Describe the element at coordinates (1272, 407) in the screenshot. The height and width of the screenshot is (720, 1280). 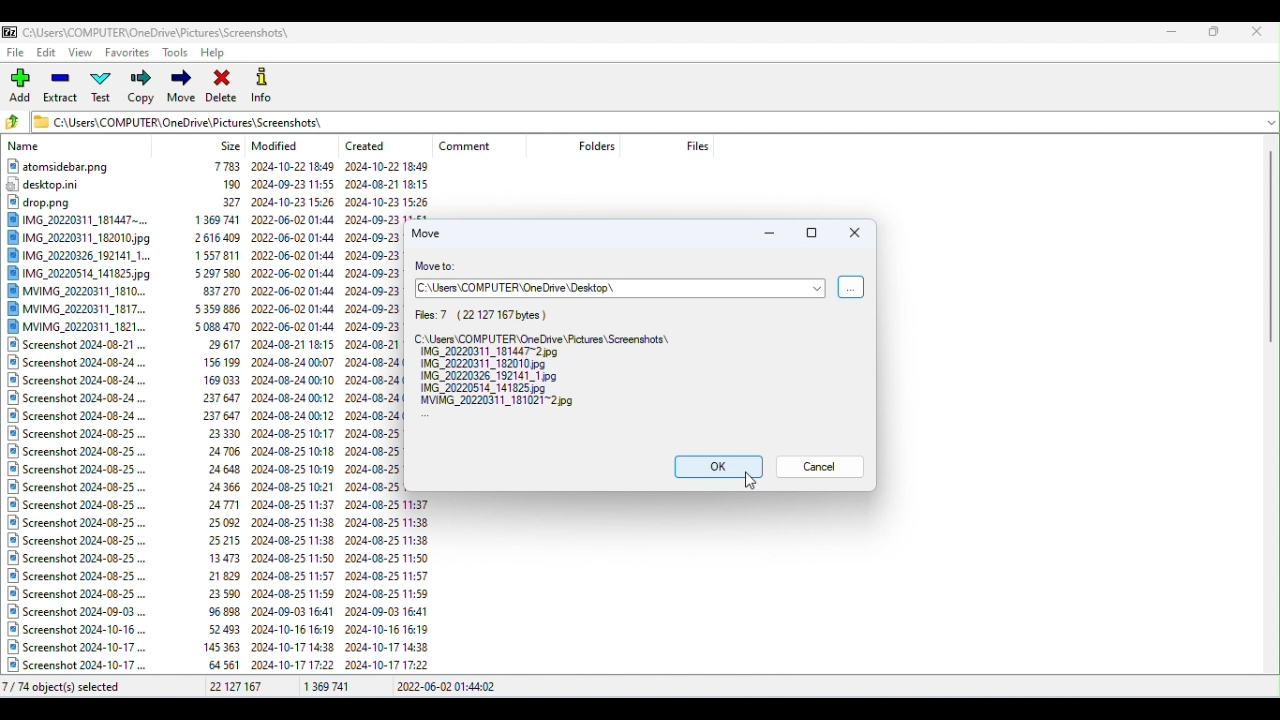
I see `Scroll bar` at that location.